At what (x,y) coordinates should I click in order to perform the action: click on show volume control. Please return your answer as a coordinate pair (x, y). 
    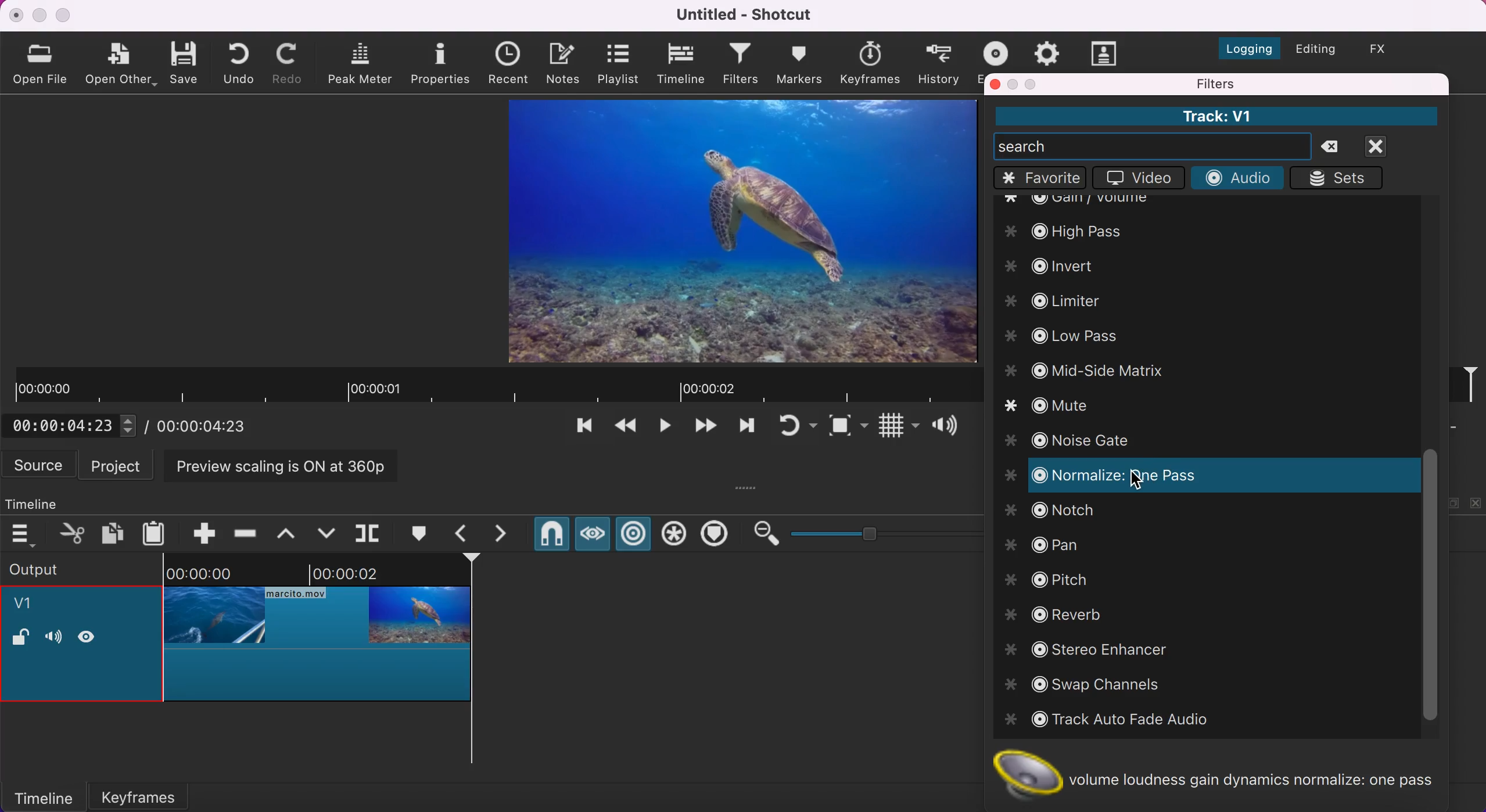
    Looking at the image, I should click on (949, 427).